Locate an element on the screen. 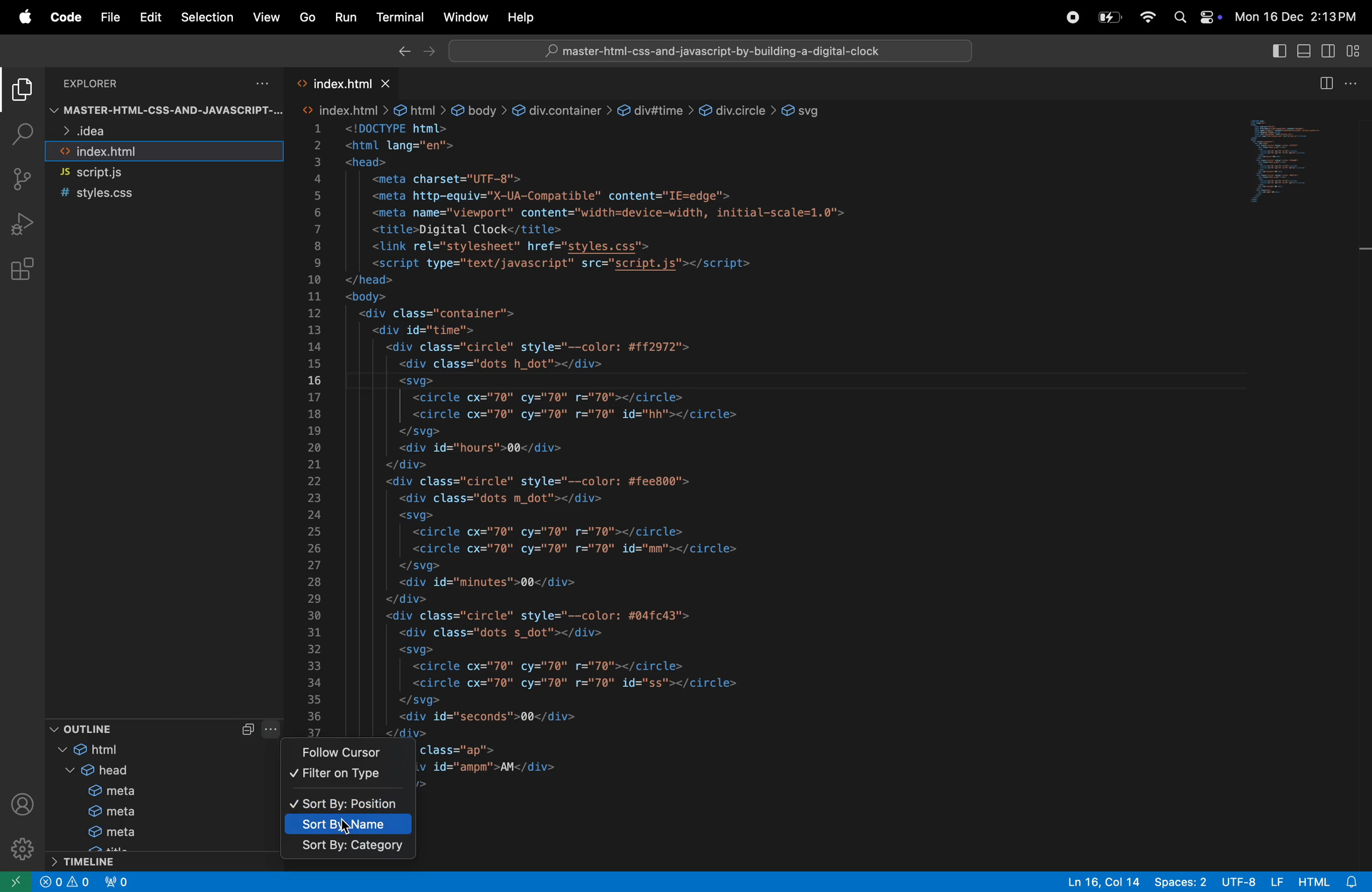 The width and height of the screenshot is (1372, 892). sort by category is located at coordinates (348, 846).